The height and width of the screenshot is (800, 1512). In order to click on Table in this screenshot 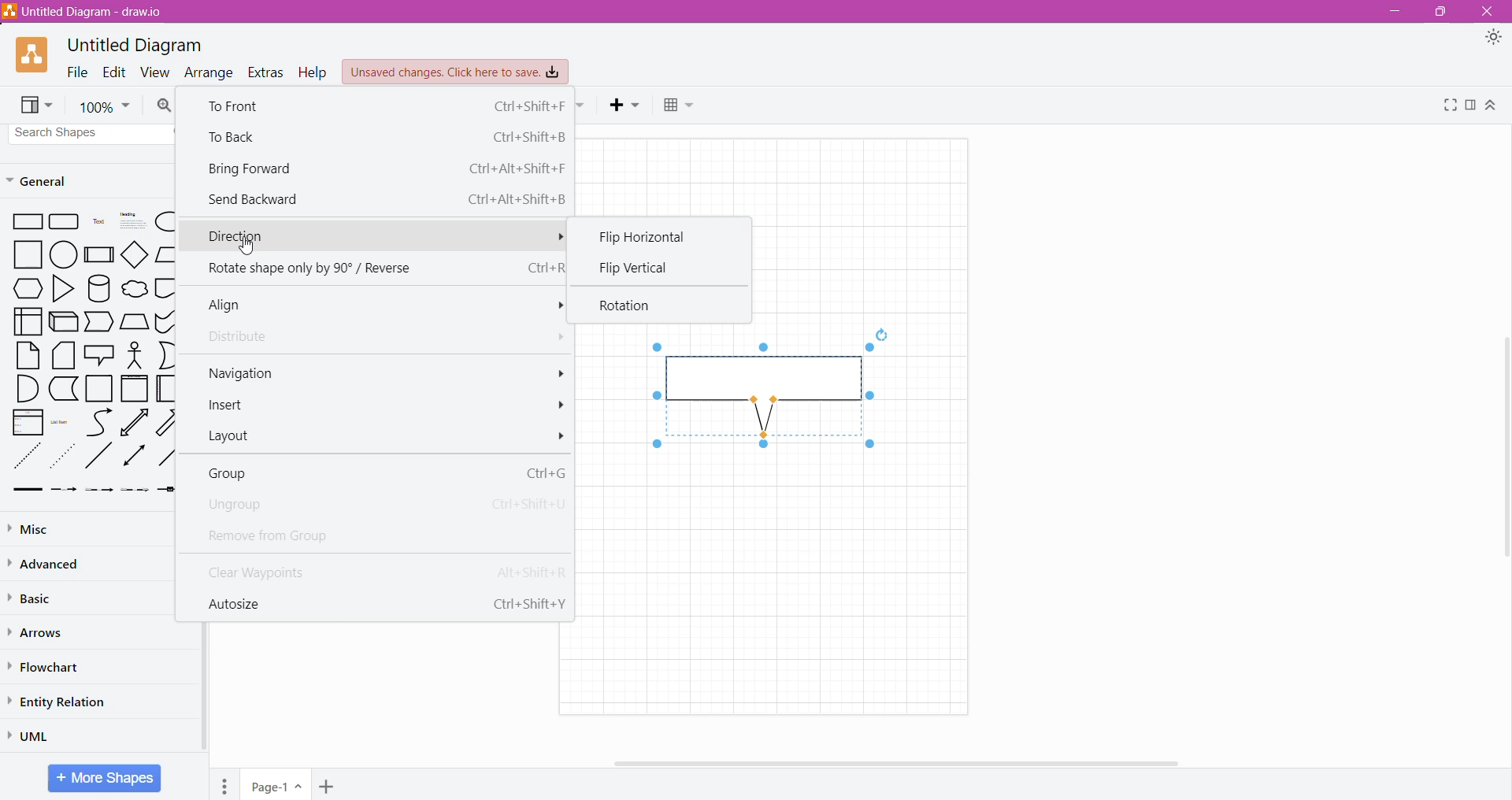, I will do `click(681, 107)`.